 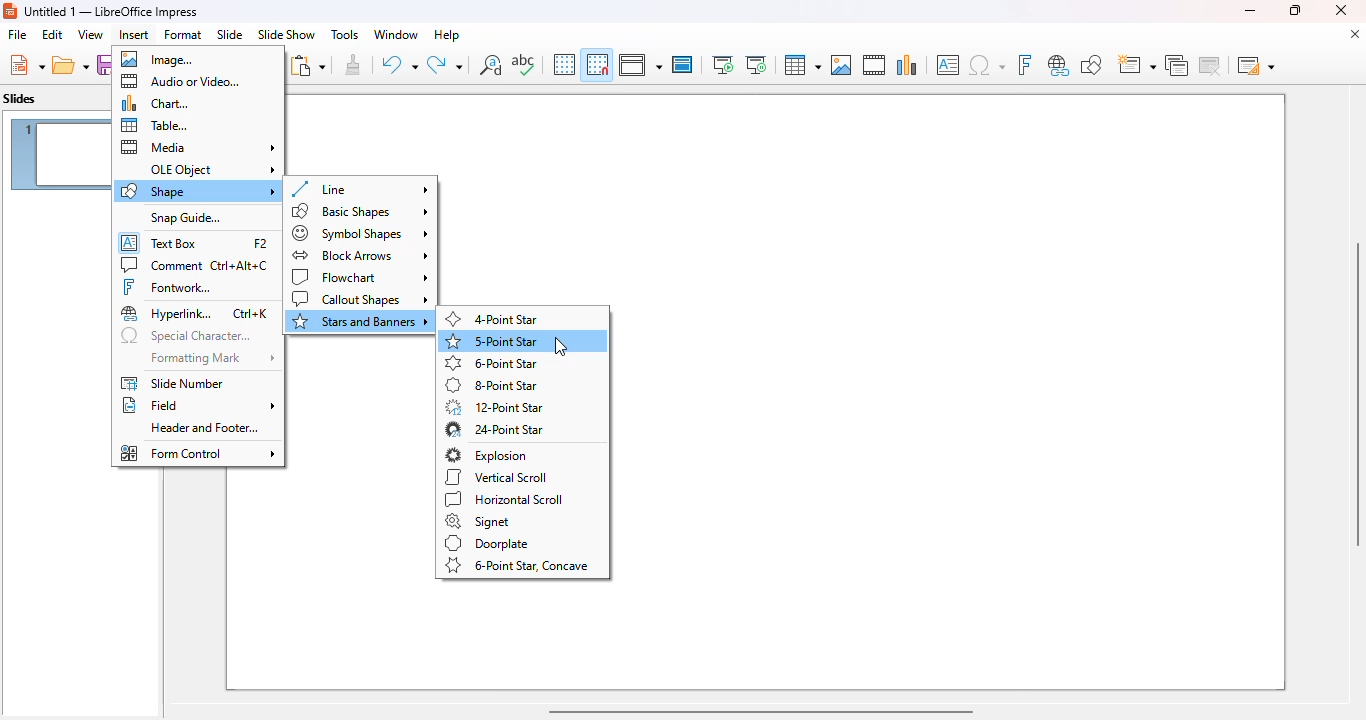 What do you see at coordinates (155, 103) in the screenshot?
I see `chart` at bounding box center [155, 103].